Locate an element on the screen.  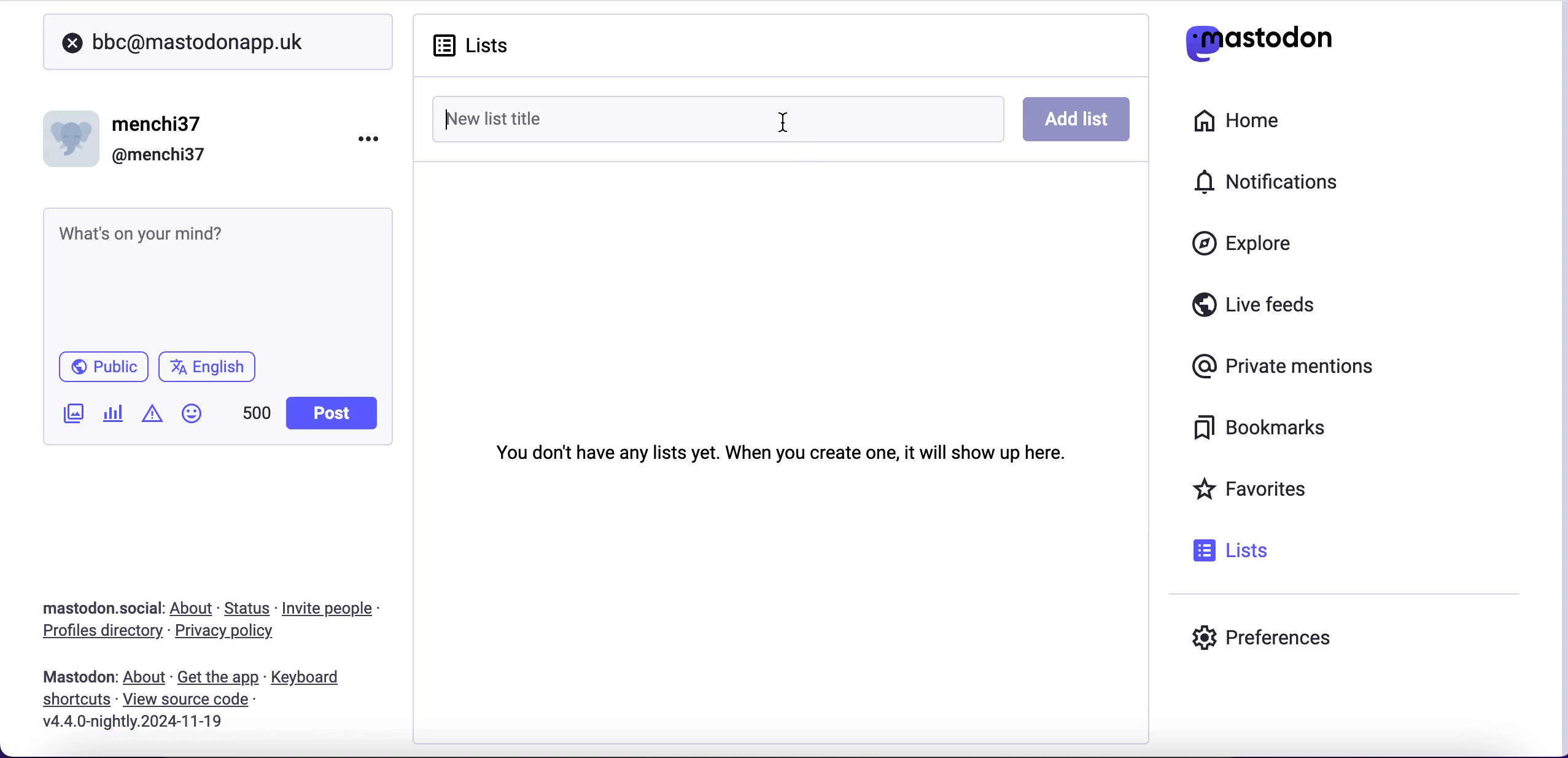
shortcuts is located at coordinates (72, 700).